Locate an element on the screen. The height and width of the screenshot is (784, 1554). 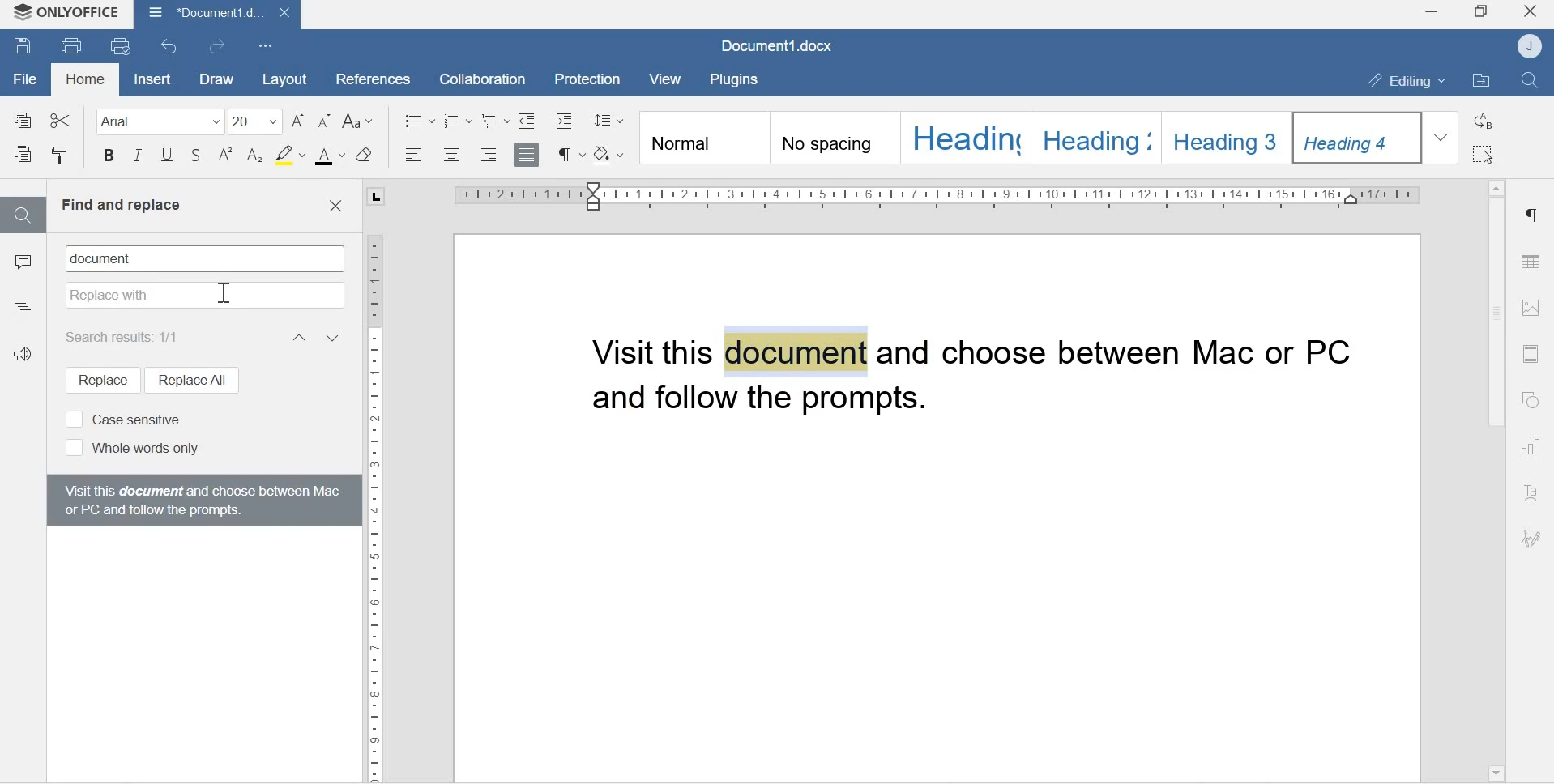
Copy is located at coordinates (23, 119).